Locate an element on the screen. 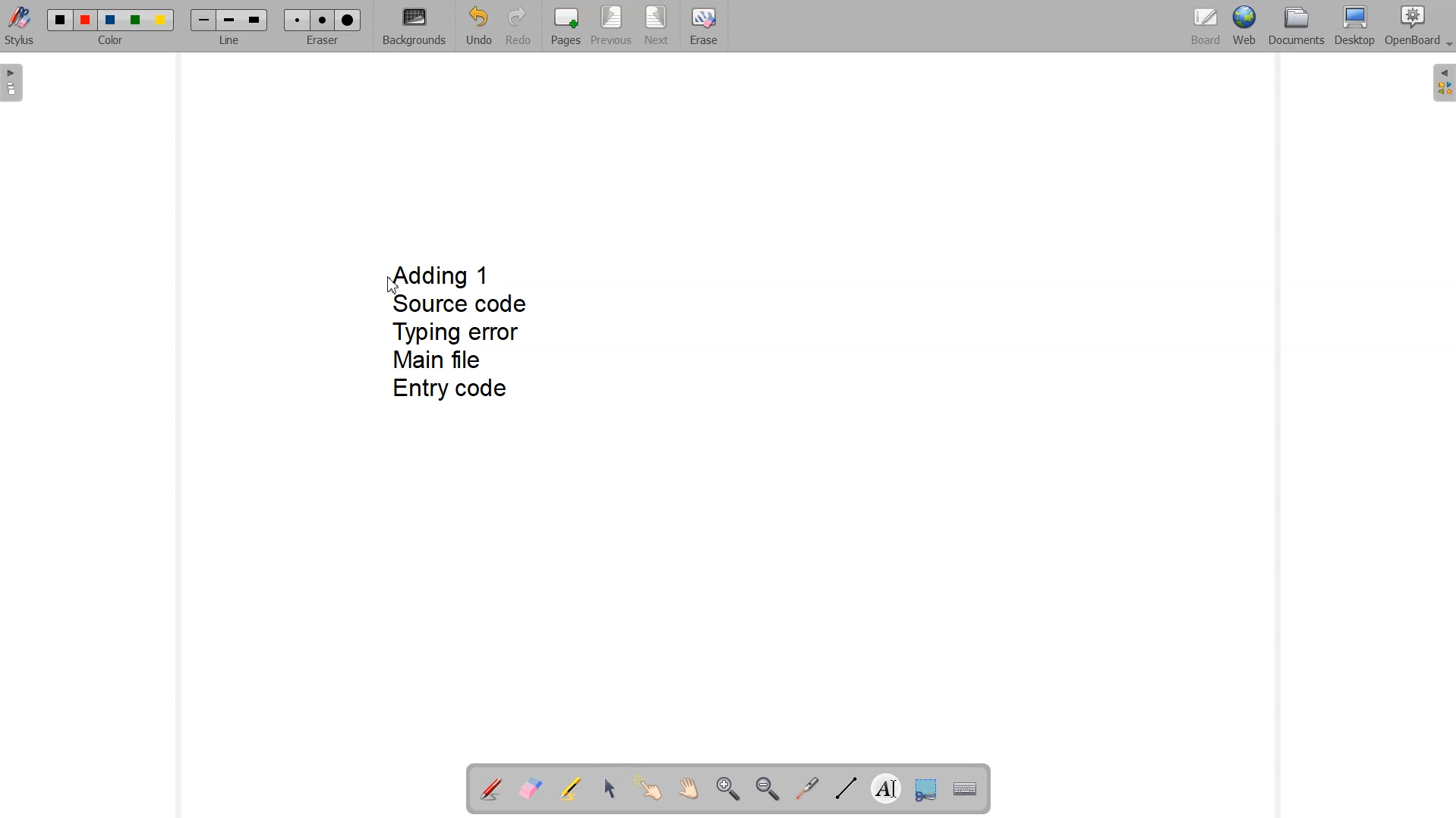 This screenshot has width=1456, height=818. Erase annotation is located at coordinates (531, 788).